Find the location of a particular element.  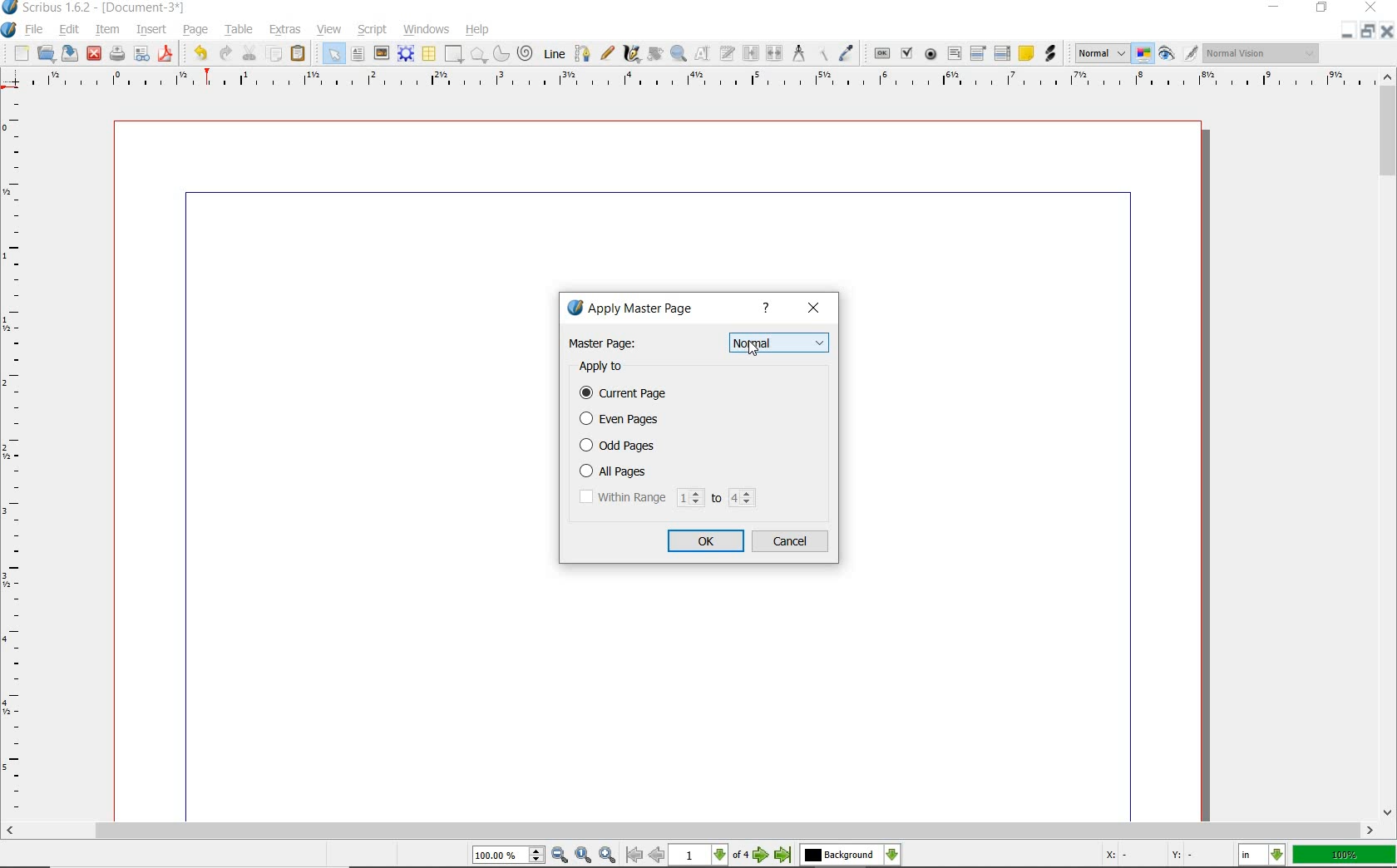

save as pdf is located at coordinates (165, 55).